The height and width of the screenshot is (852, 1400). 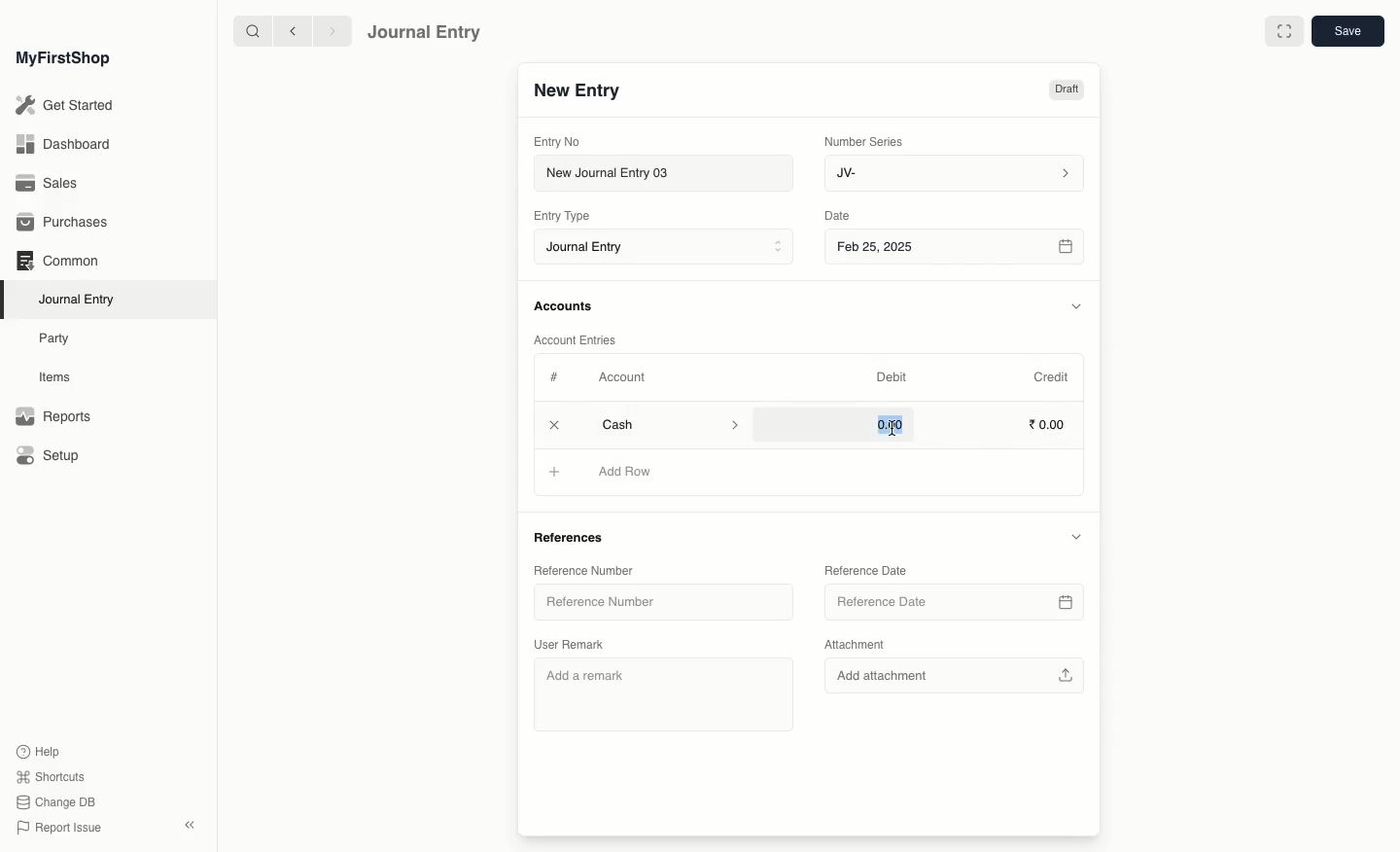 What do you see at coordinates (868, 569) in the screenshot?
I see `Reference Date` at bounding box center [868, 569].